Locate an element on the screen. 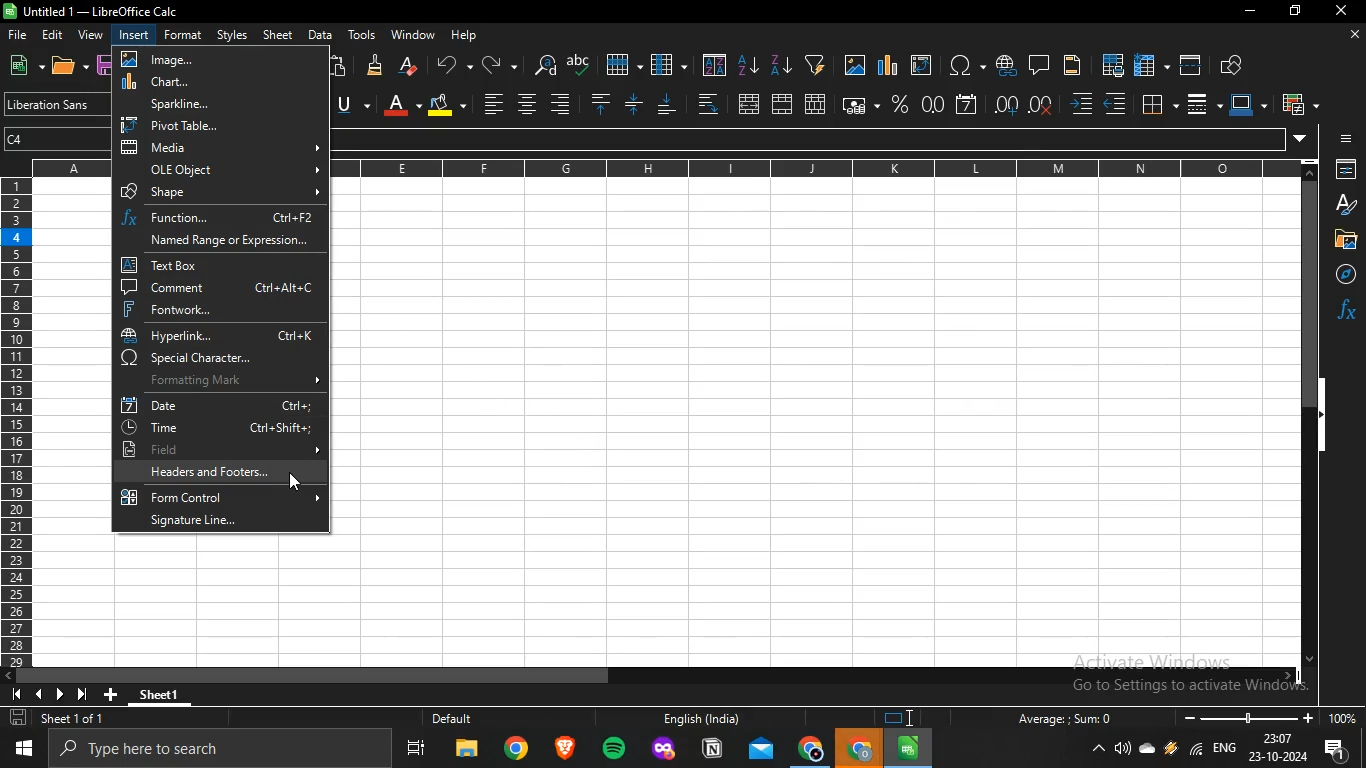 This screenshot has height=768, width=1366. file explorer is located at coordinates (467, 752).